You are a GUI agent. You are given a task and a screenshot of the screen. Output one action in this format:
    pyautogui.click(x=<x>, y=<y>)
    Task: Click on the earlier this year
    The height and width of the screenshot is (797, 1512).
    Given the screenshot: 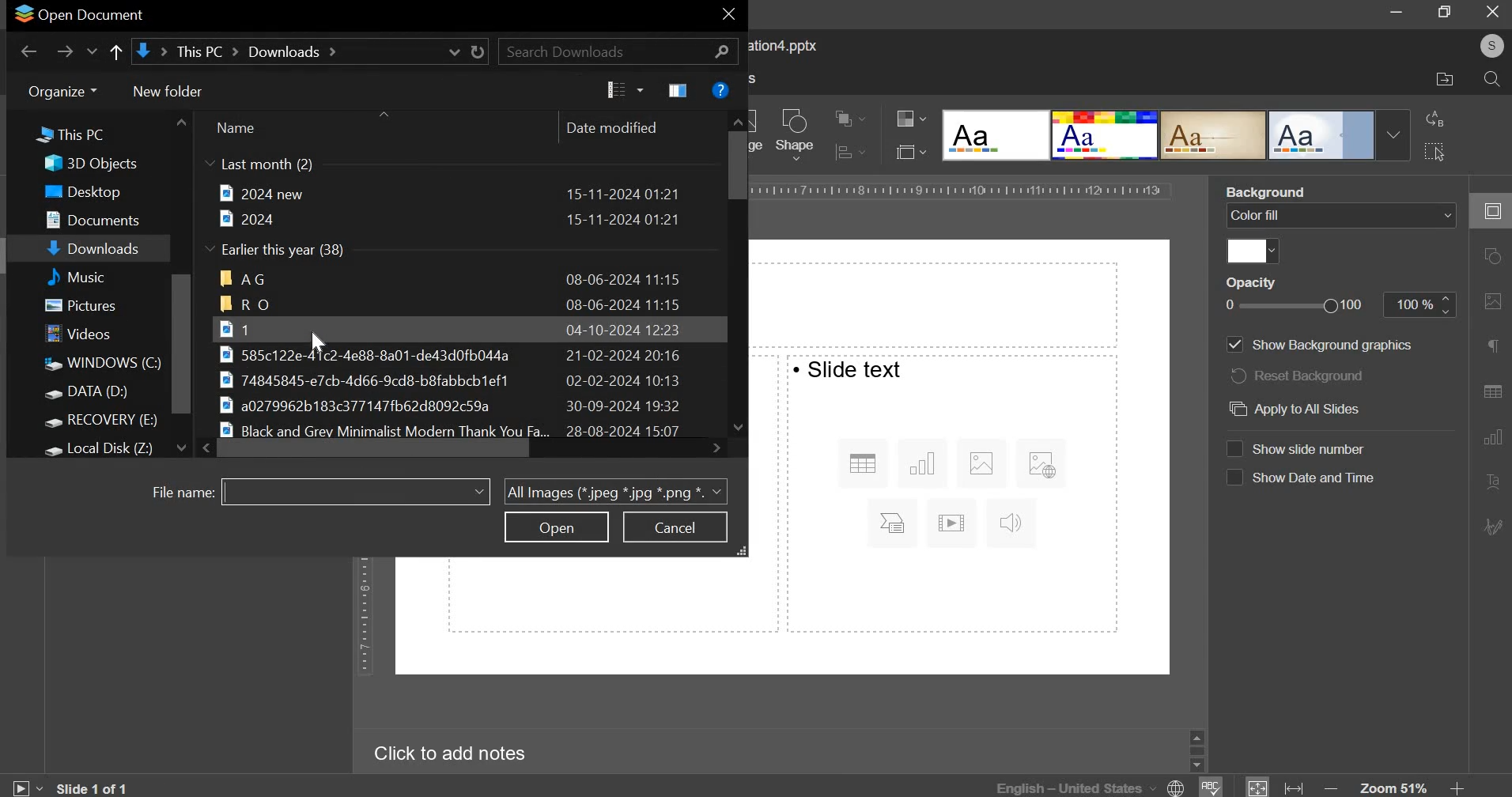 What is the action you would take?
    pyautogui.click(x=278, y=251)
    